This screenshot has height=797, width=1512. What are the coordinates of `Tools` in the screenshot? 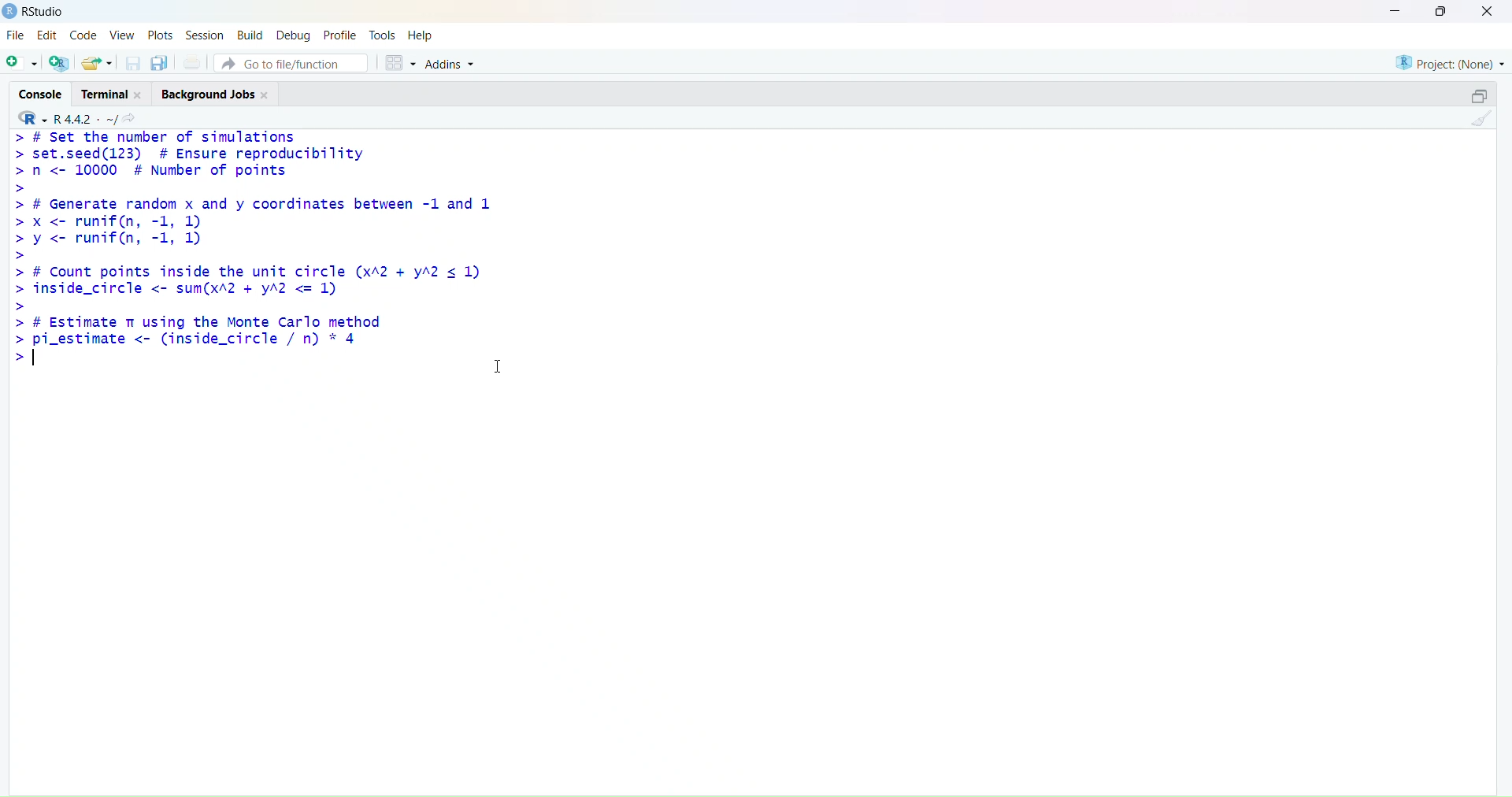 It's located at (383, 34).